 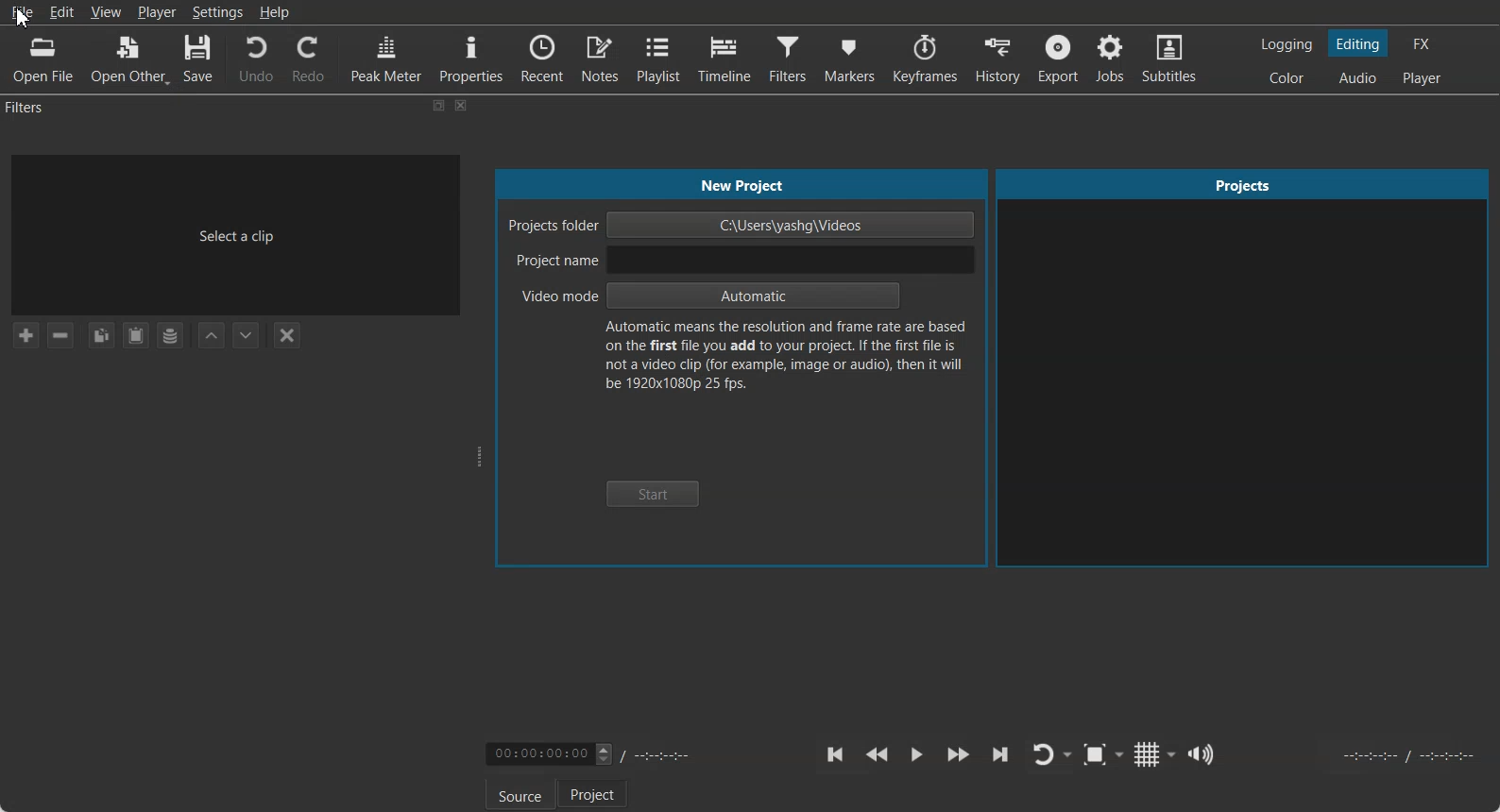 What do you see at coordinates (1423, 78) in the screenshot?
I see `Switching to the Player only layout` at bounding box center [1423, 78].